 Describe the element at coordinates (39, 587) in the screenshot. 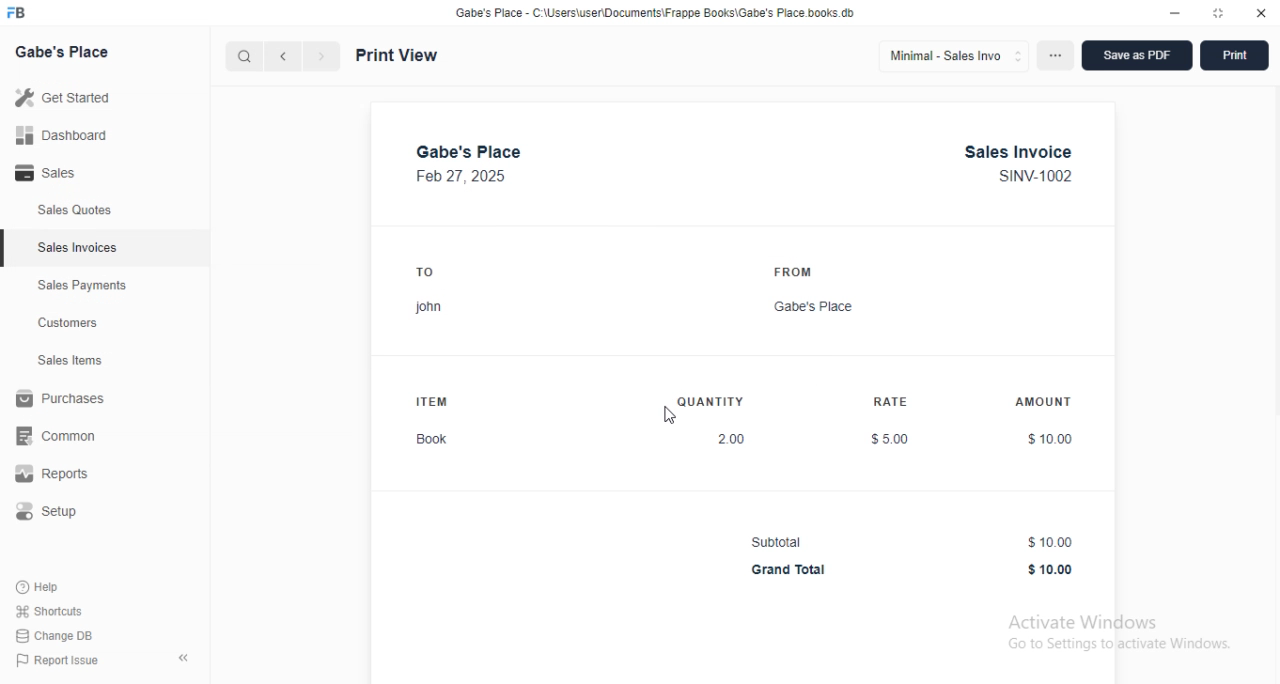

I see `help` at that location.